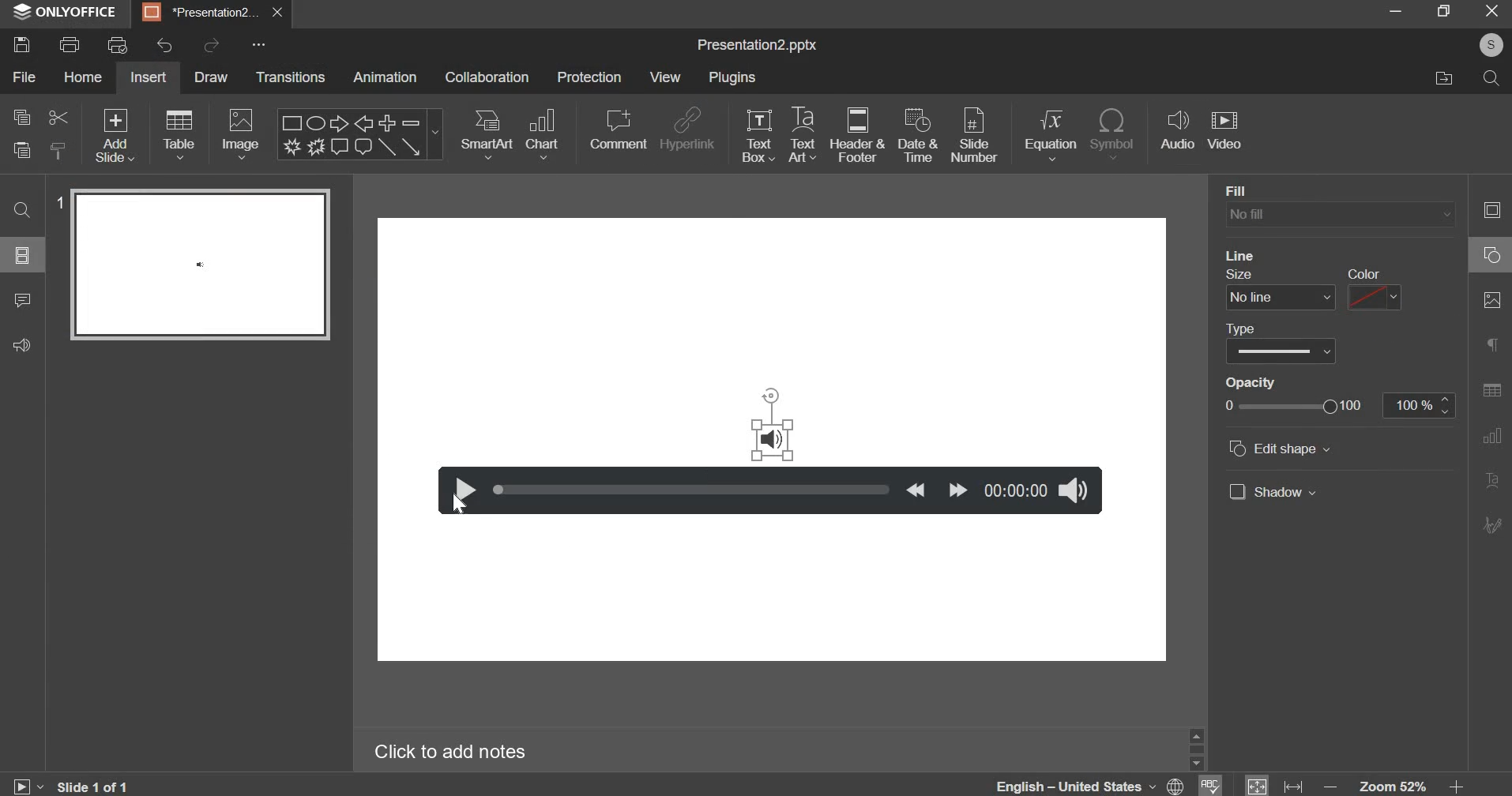 The height and width of the screenshot is (796, 1512). Describe the element at coordinates (918, 134) in the screenshot. I see `date & time` at that location.